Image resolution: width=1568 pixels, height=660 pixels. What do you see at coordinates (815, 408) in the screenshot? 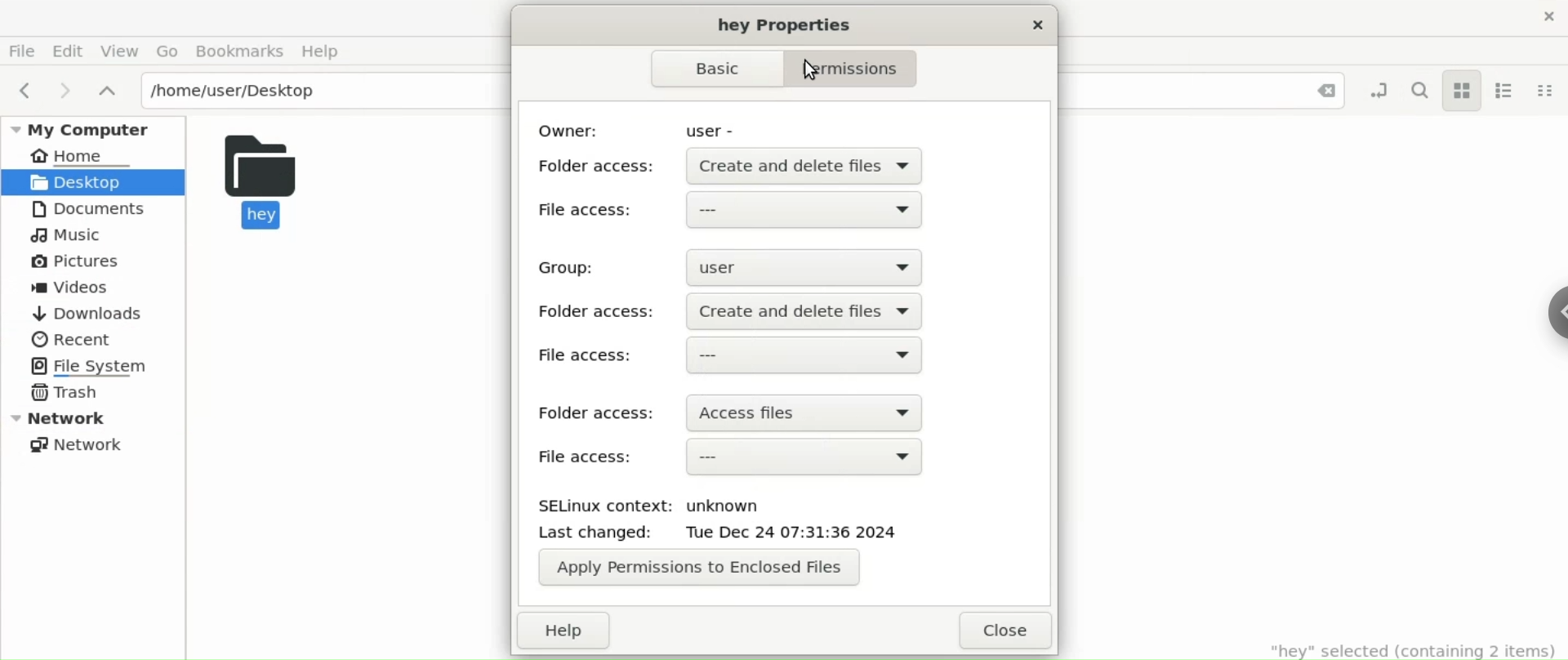
I see `Access files ` at bounding box center [815, 408].